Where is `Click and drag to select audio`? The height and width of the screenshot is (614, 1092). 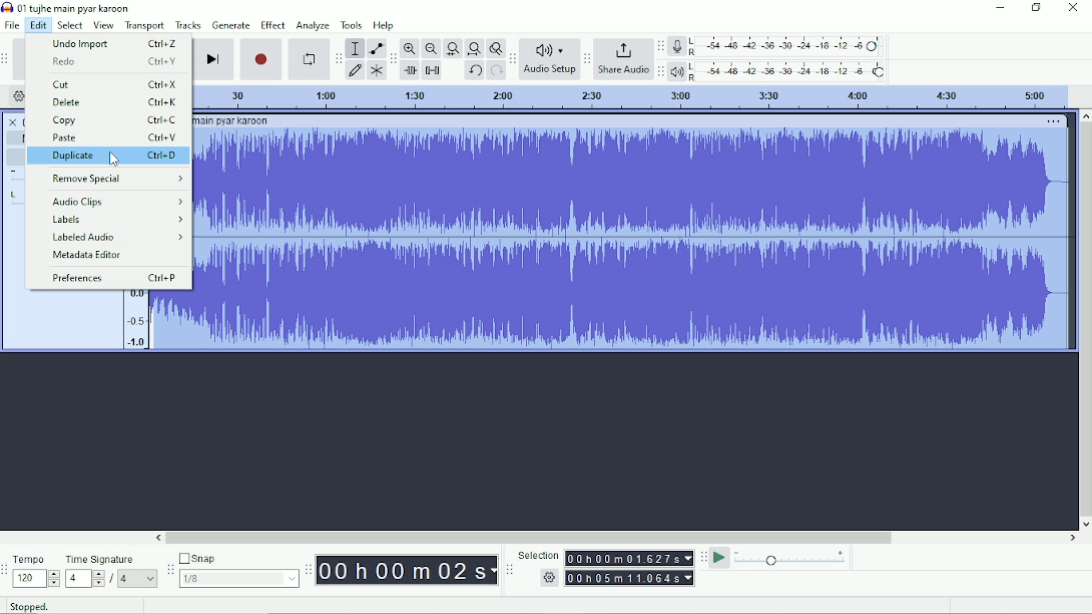 Click and drag to select audio is located at coordinates (267, 606).